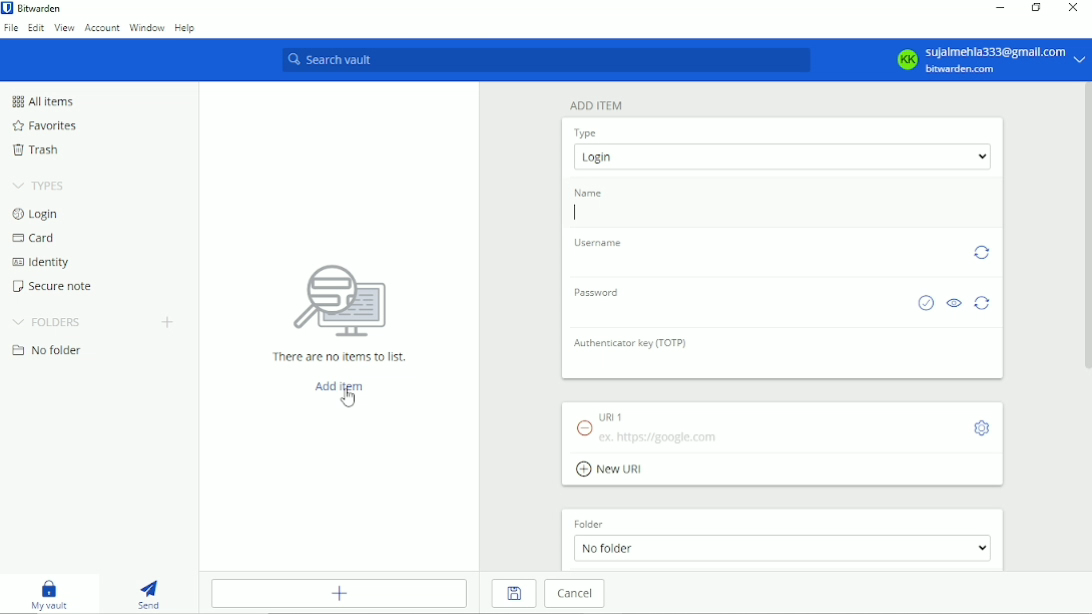  I want to click on Save, so click(515, 594).